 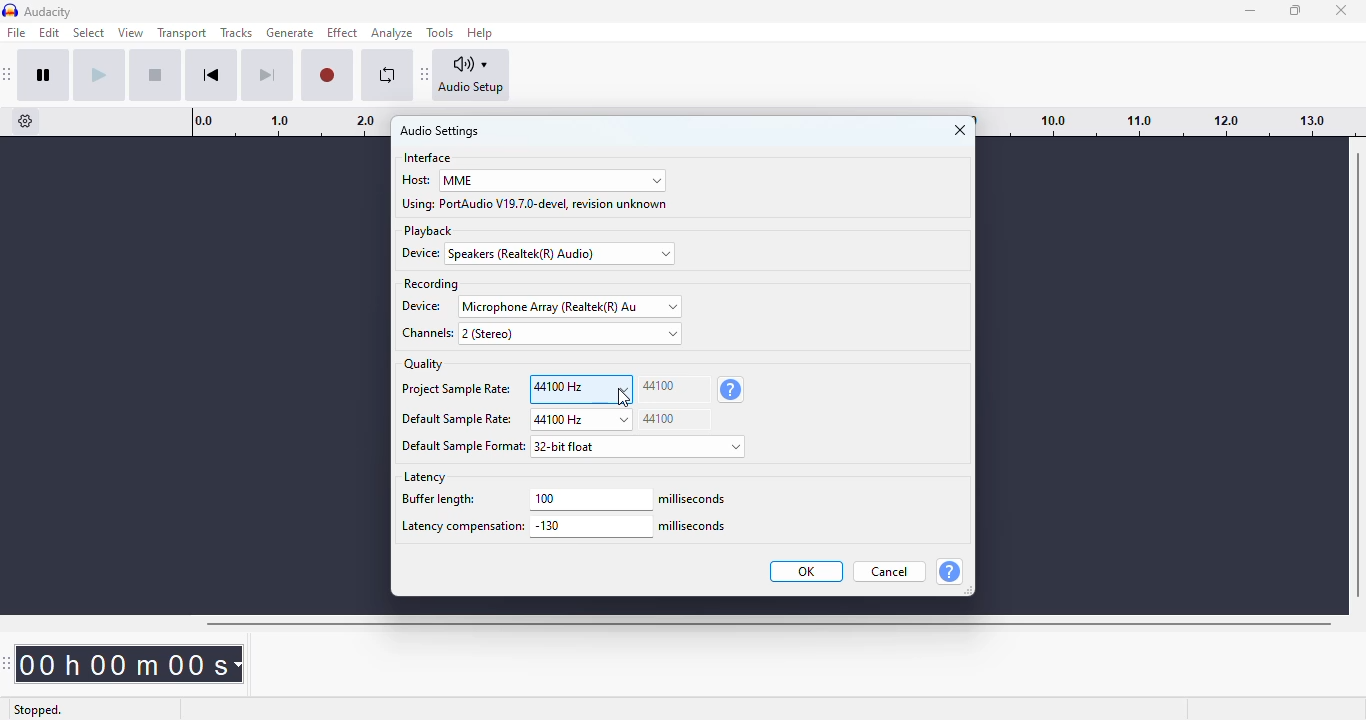 What do you see at coordinates (591, 499) in the screenshot?
I see `edit buffer length` at bounding box center [591, 499].